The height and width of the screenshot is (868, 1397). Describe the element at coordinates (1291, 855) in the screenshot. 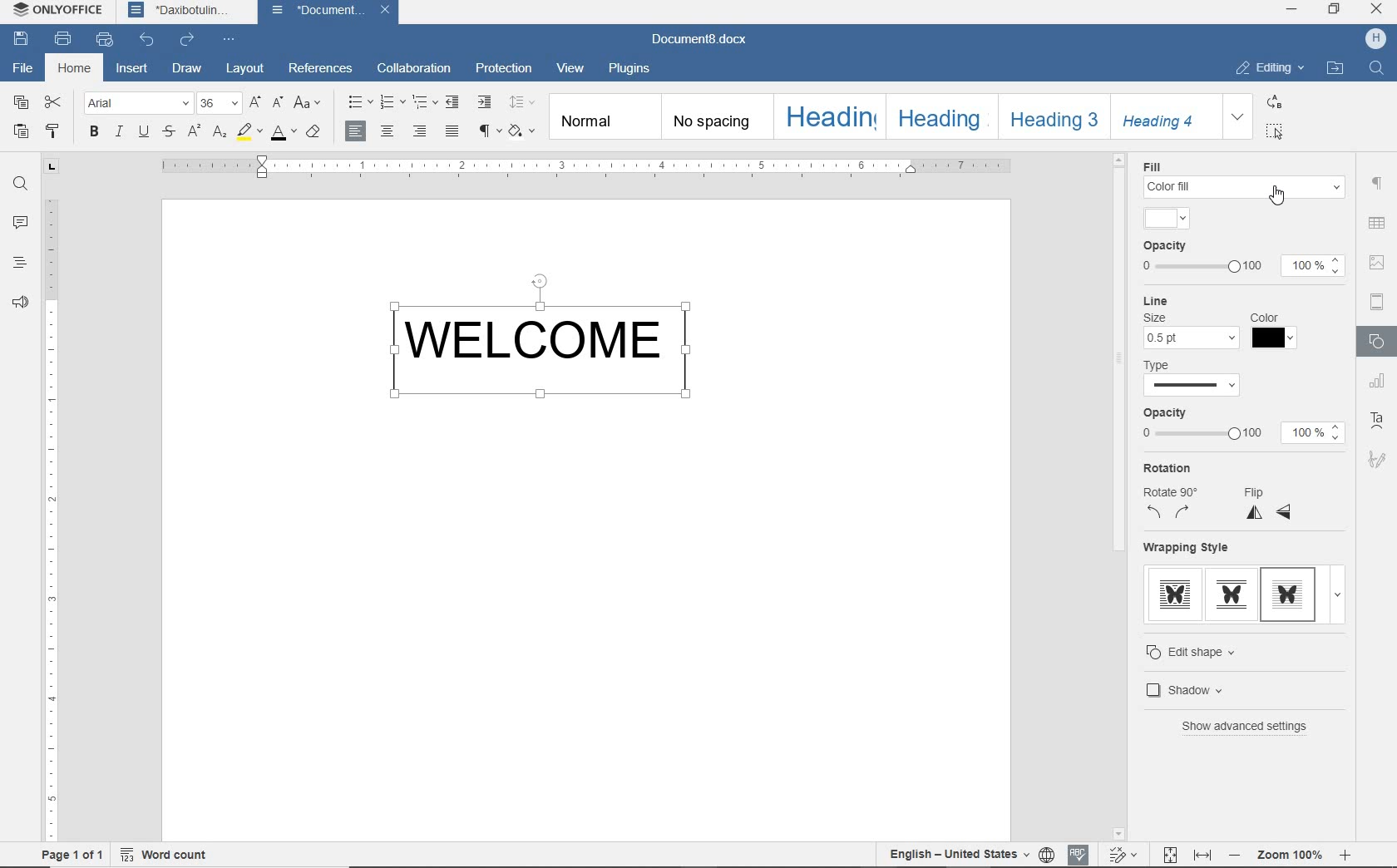

I see `Zoom 100%` at that location.